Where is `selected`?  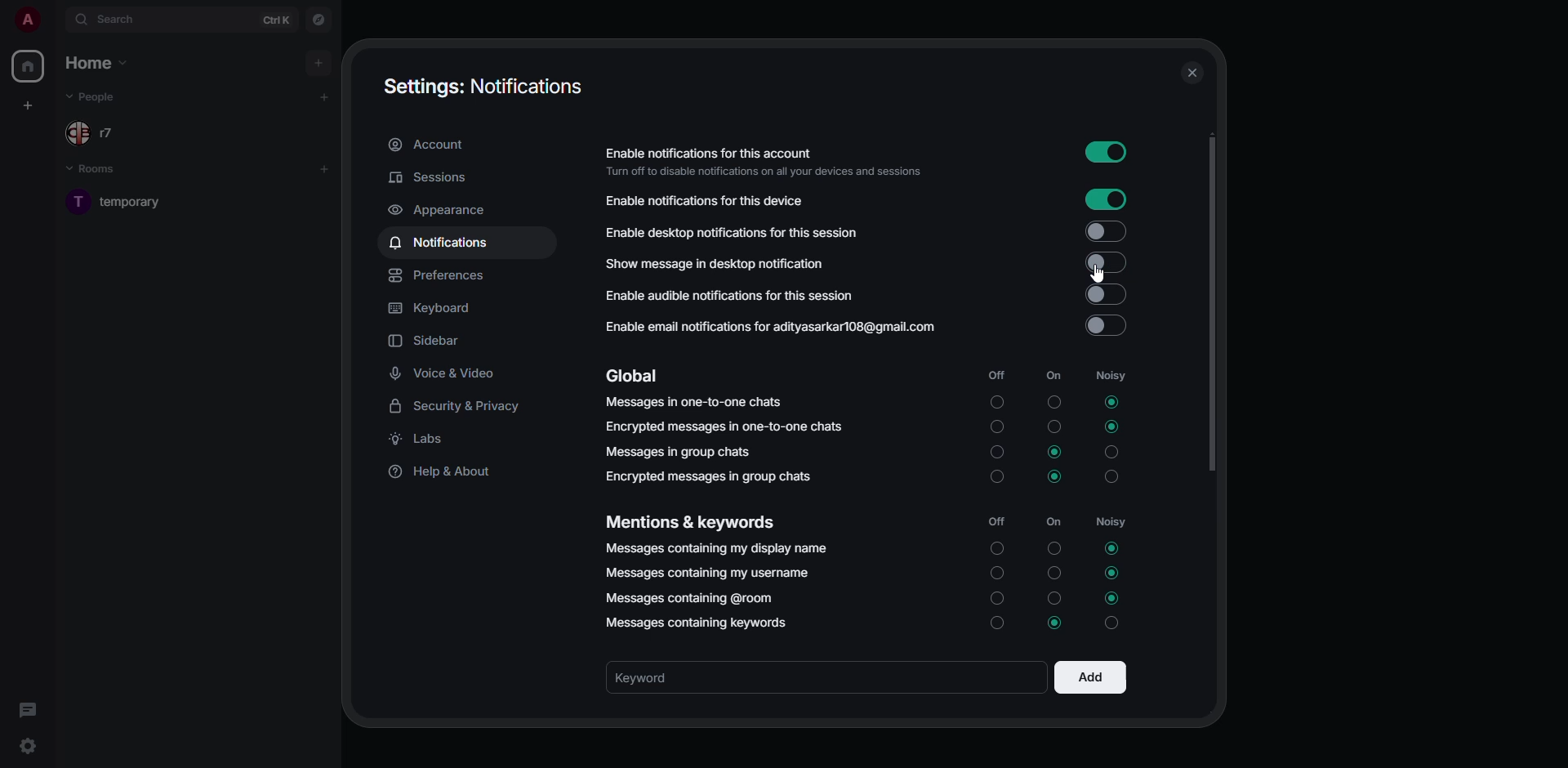
selected is located at coordinates (1110, 548).